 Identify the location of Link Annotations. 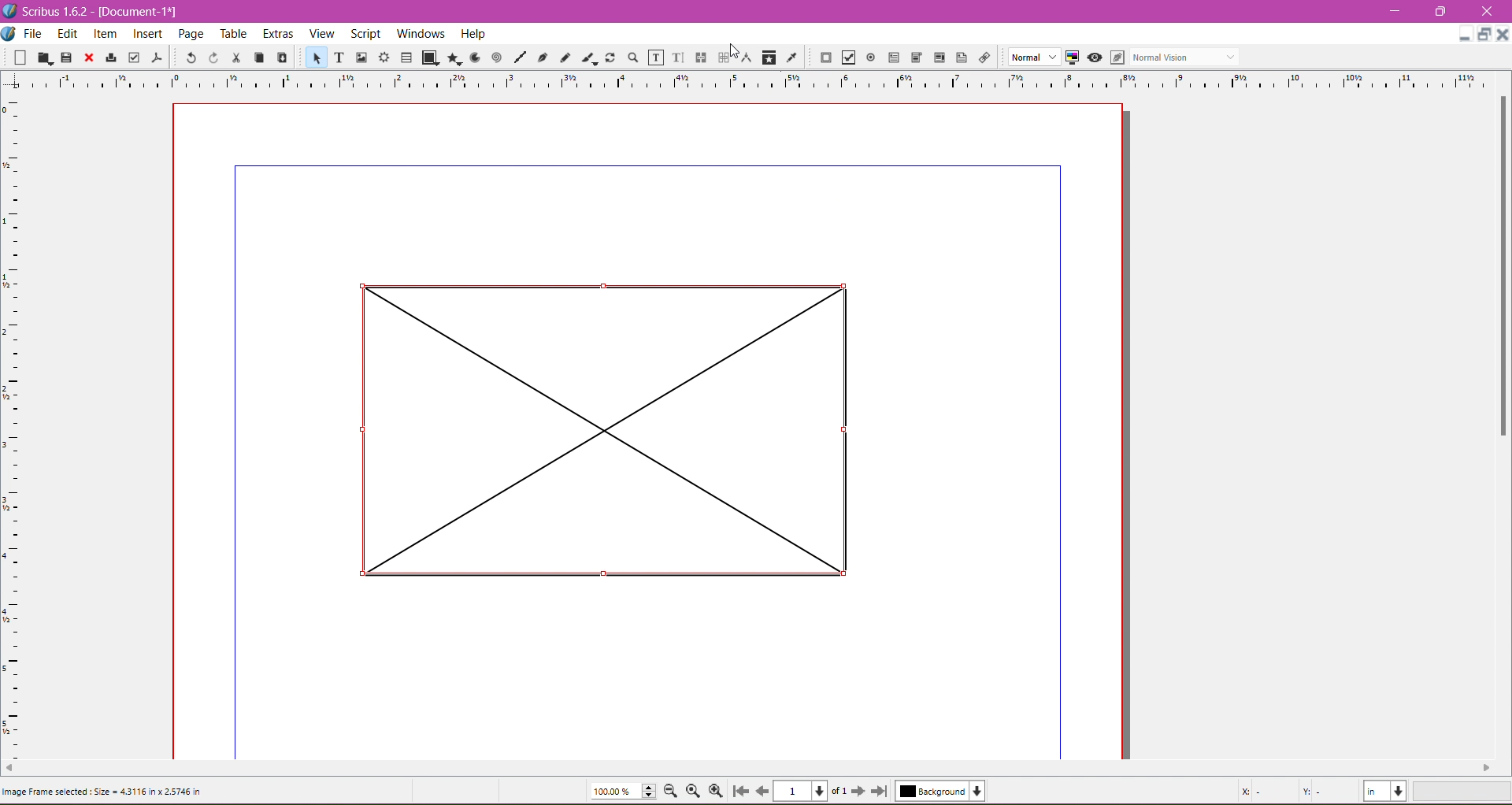
(984, 58).